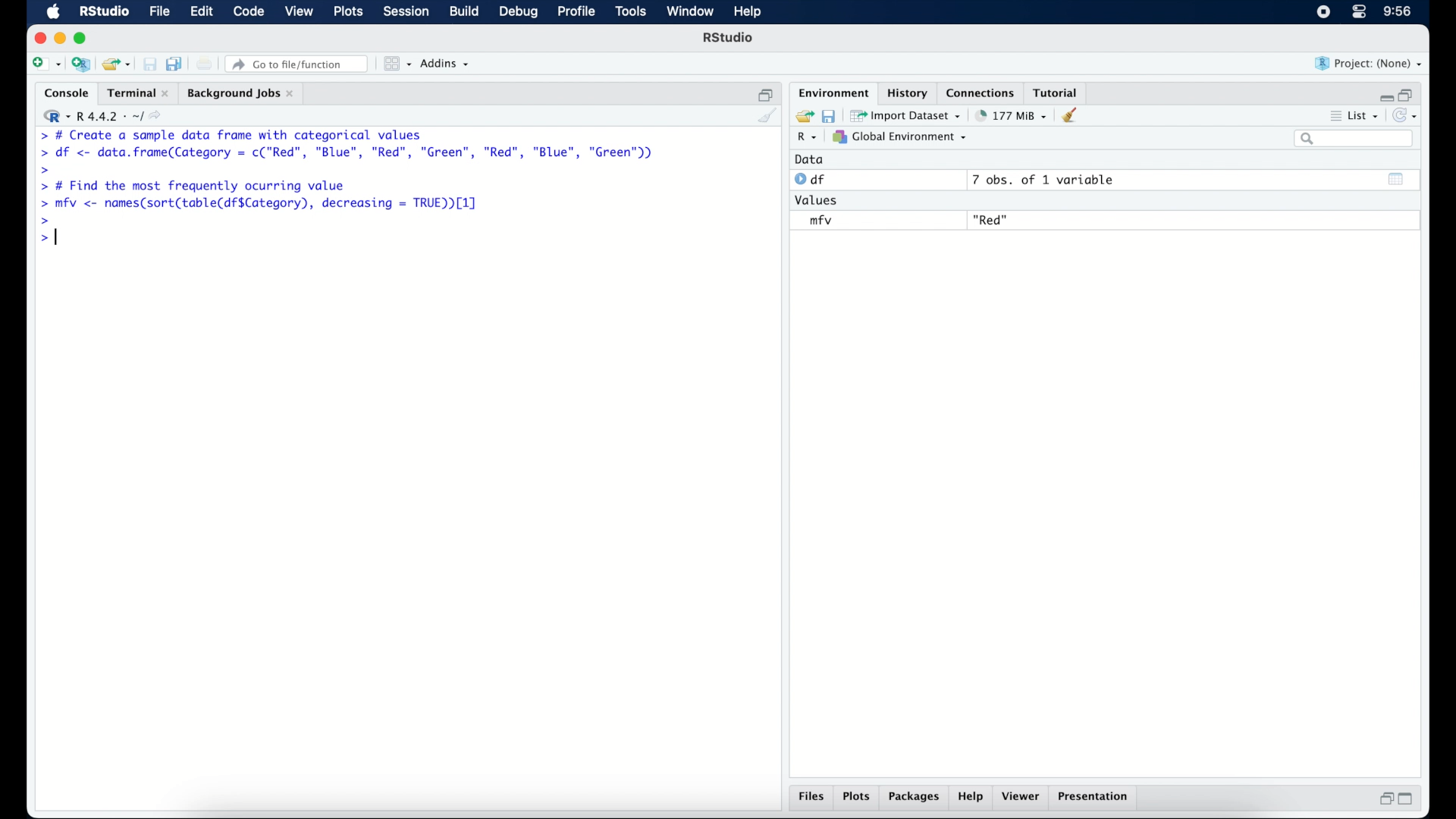 This screenshot has height=819, width=1456. I want to click on R, so click(810, 138).